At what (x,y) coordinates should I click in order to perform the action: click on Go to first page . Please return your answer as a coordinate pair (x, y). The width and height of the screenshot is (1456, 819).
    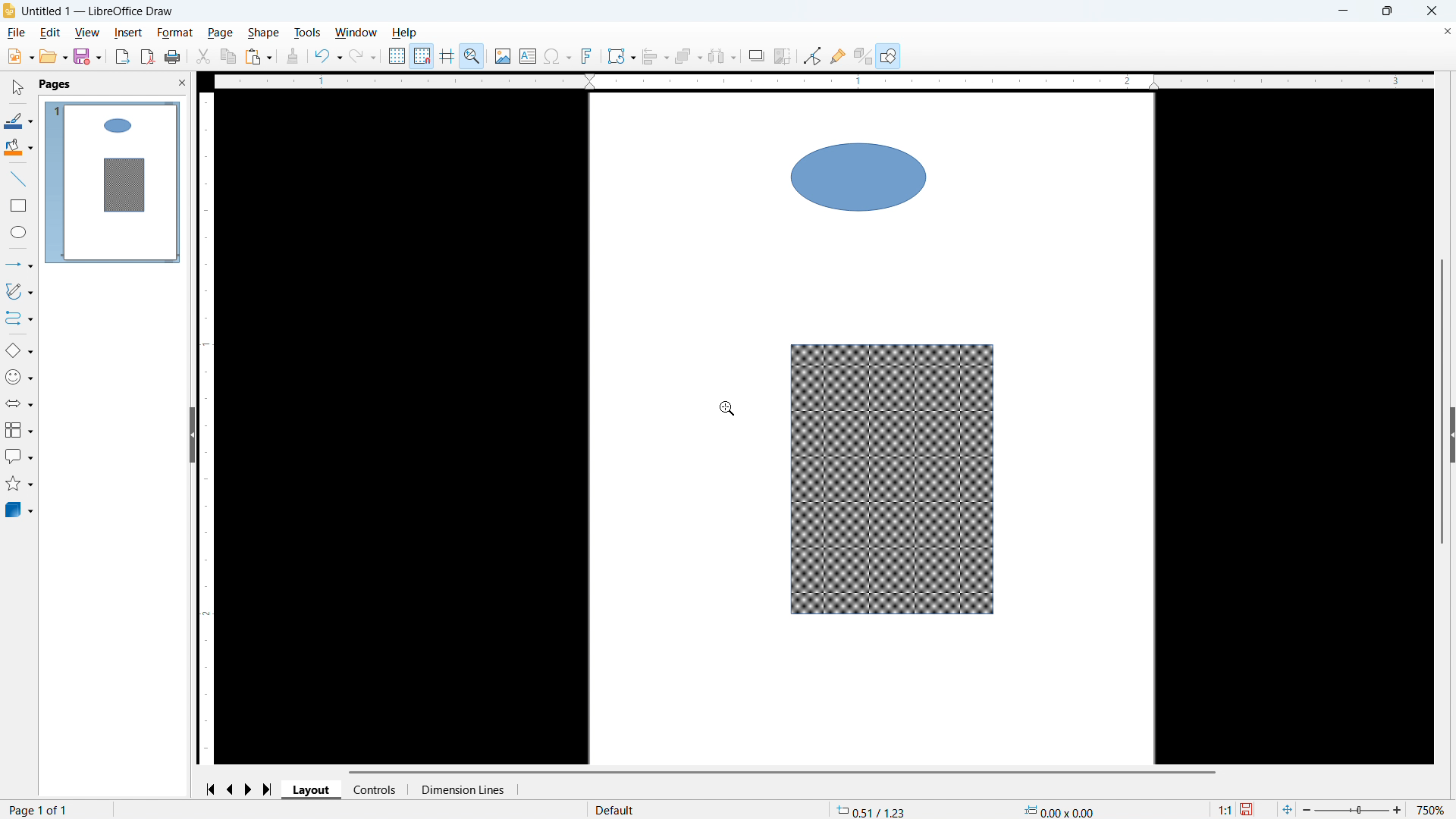
    Looking at the image, I should click on (213, 789).